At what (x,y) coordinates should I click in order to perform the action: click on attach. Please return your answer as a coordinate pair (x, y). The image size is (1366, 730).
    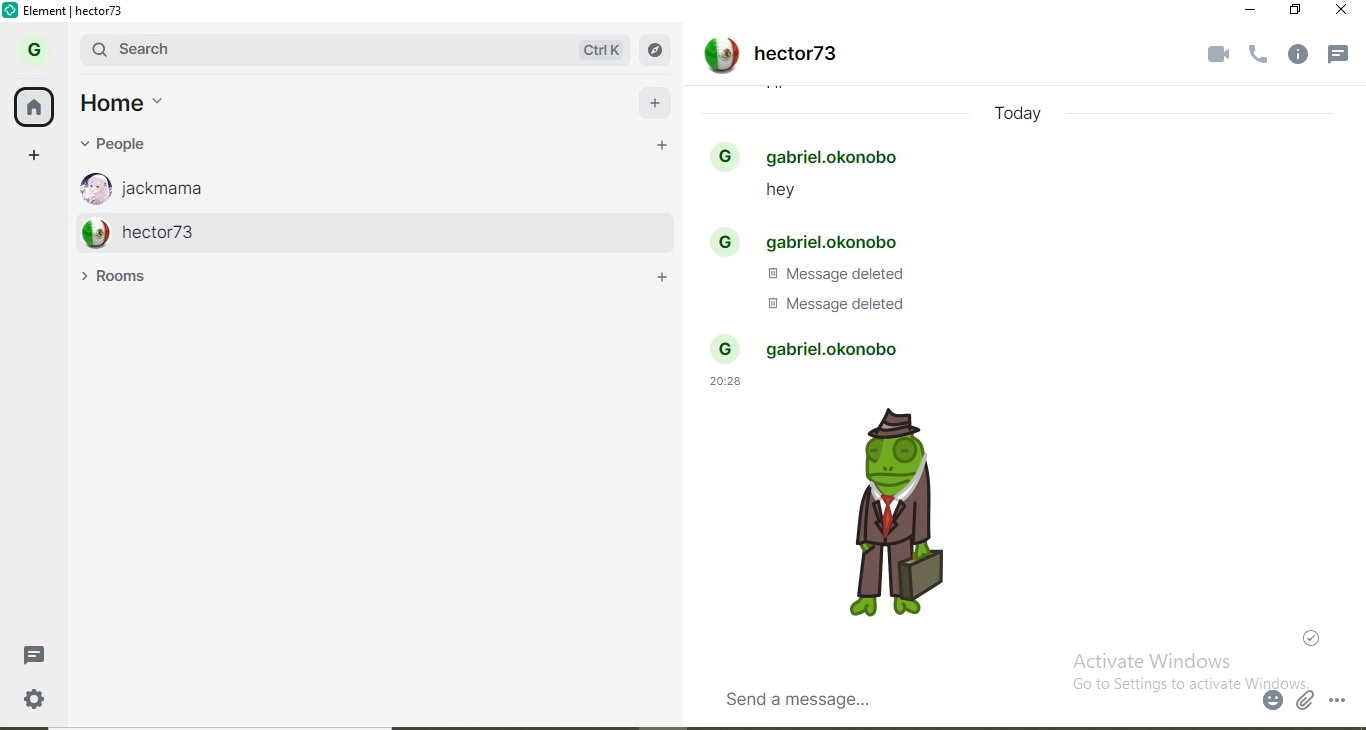
    Looking at the image, I should click on (1304, 701).